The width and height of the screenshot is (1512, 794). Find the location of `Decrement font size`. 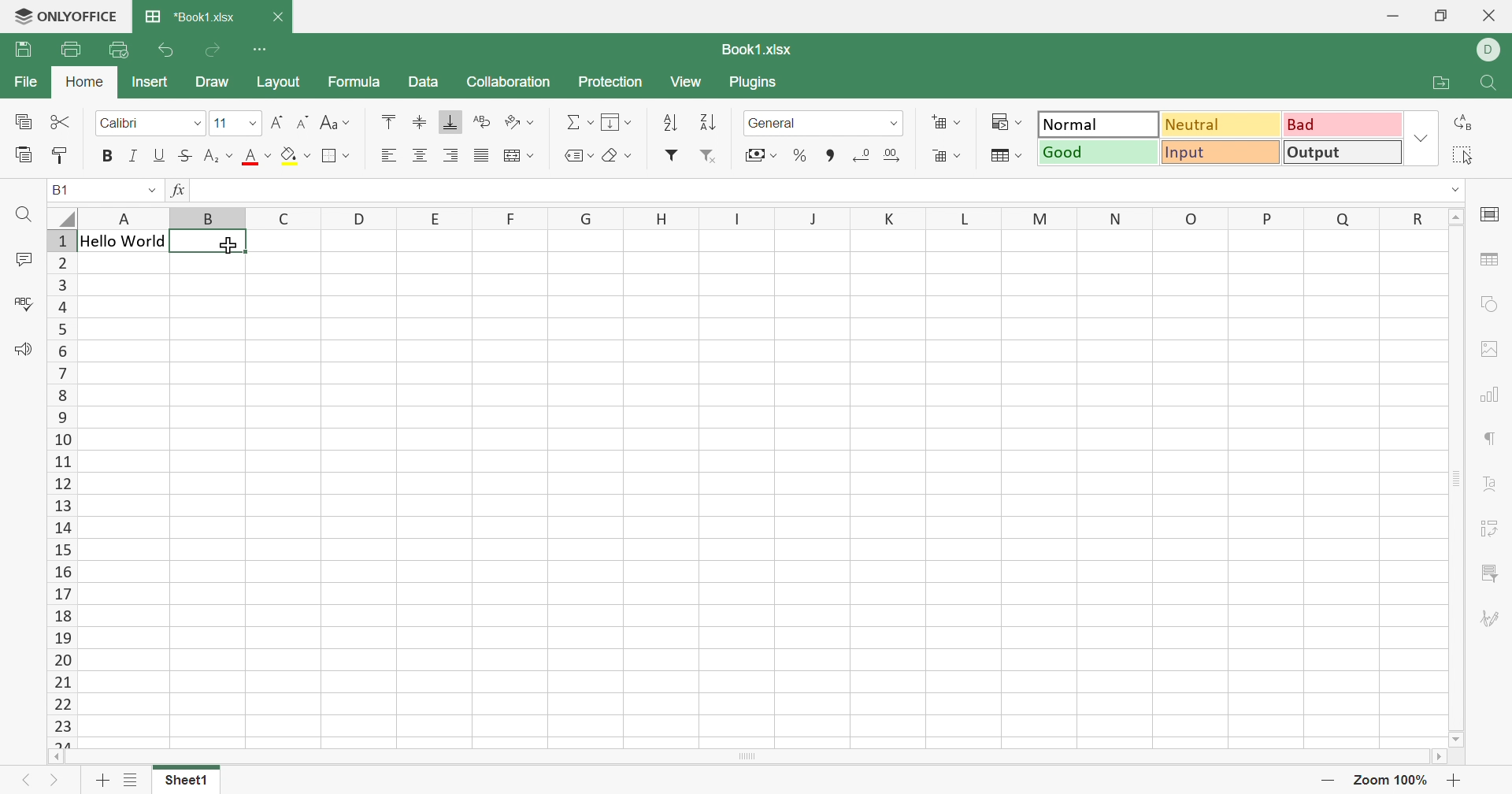

Decrement font size is located at coordinates (303, 121).